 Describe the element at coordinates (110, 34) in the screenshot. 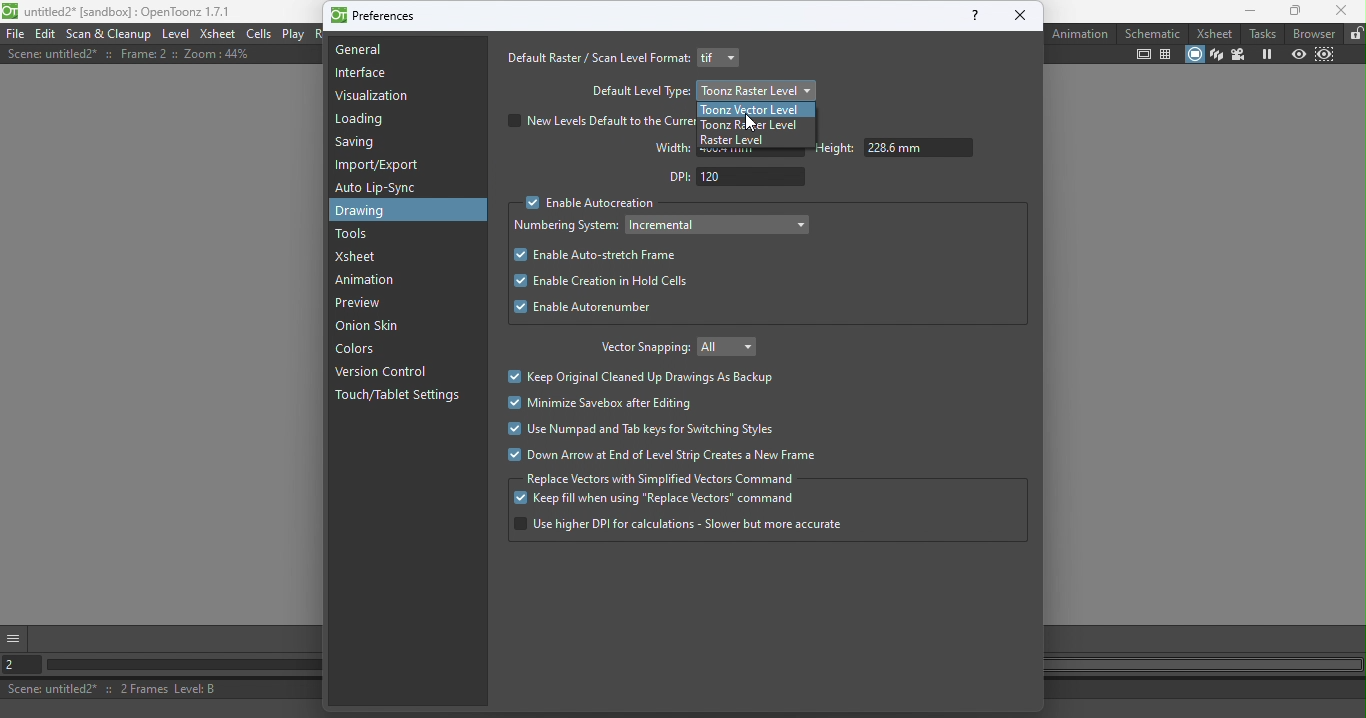

I see `Scan & Cleanup` at that location.